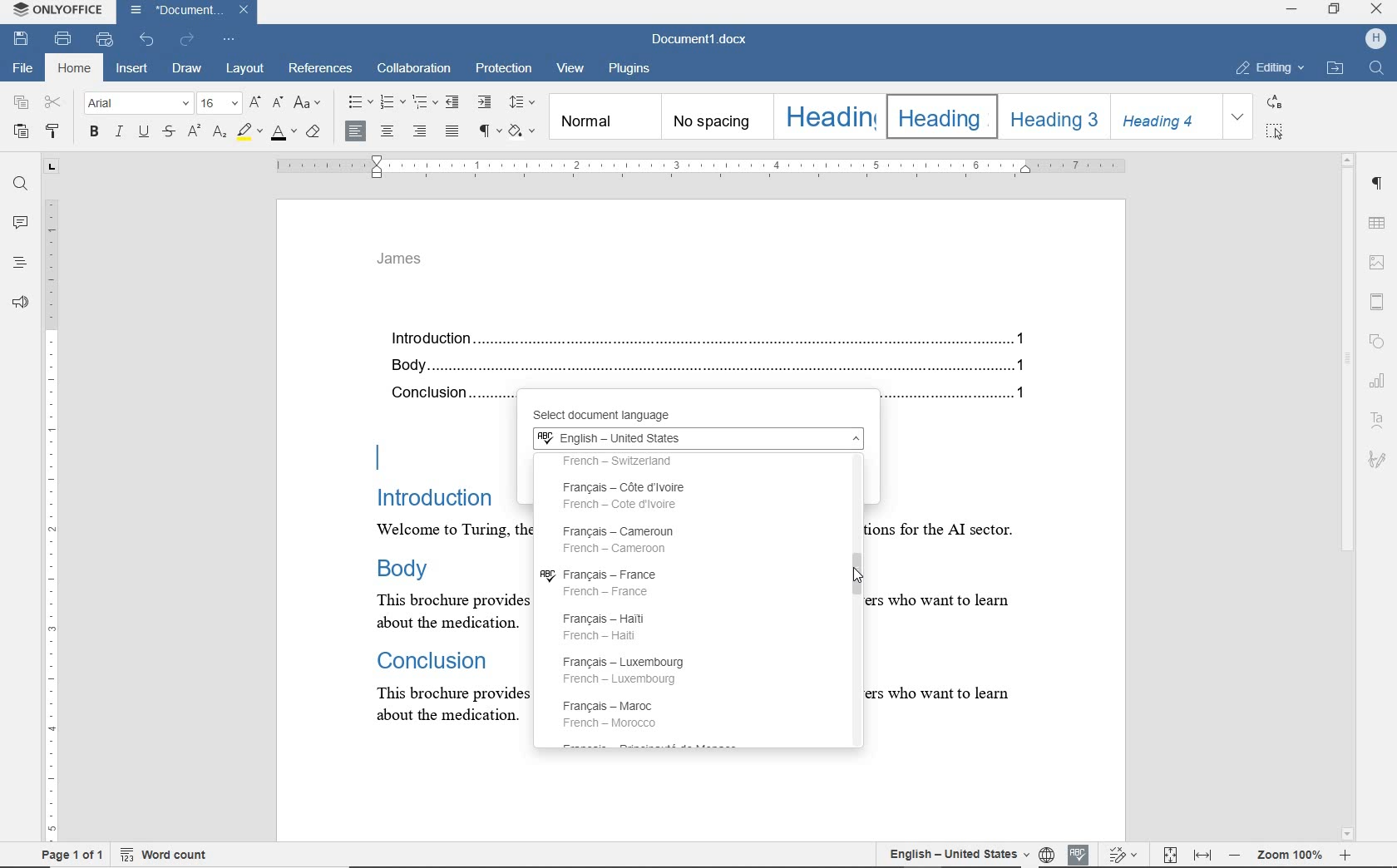 The image size is (1397, 868). Describe the element at coordinates (70, 856) in the screenshot. I see `page 1 of 1` at that location.